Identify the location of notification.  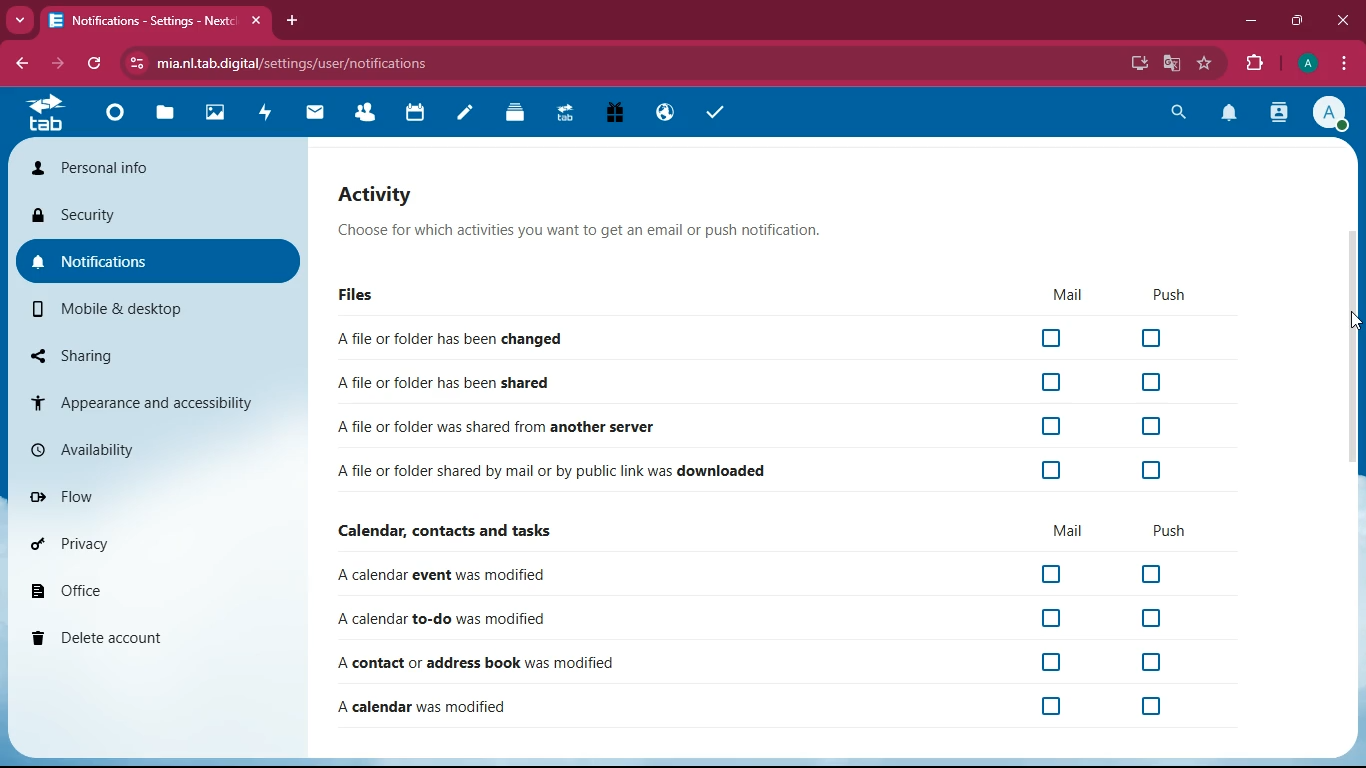
(1230, 114).